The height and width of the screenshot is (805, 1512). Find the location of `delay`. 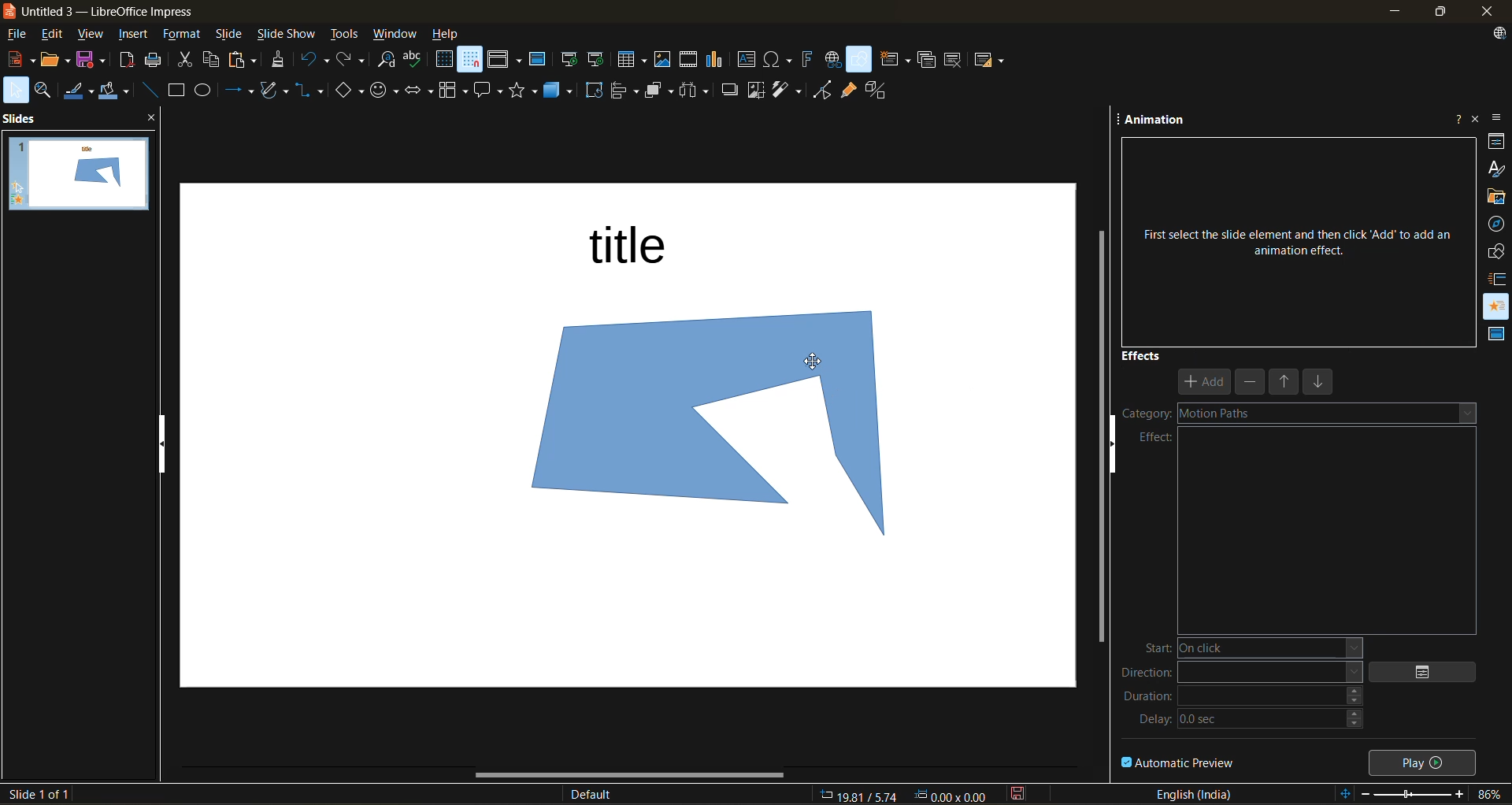

delay is located at coordinates (1246, 720).